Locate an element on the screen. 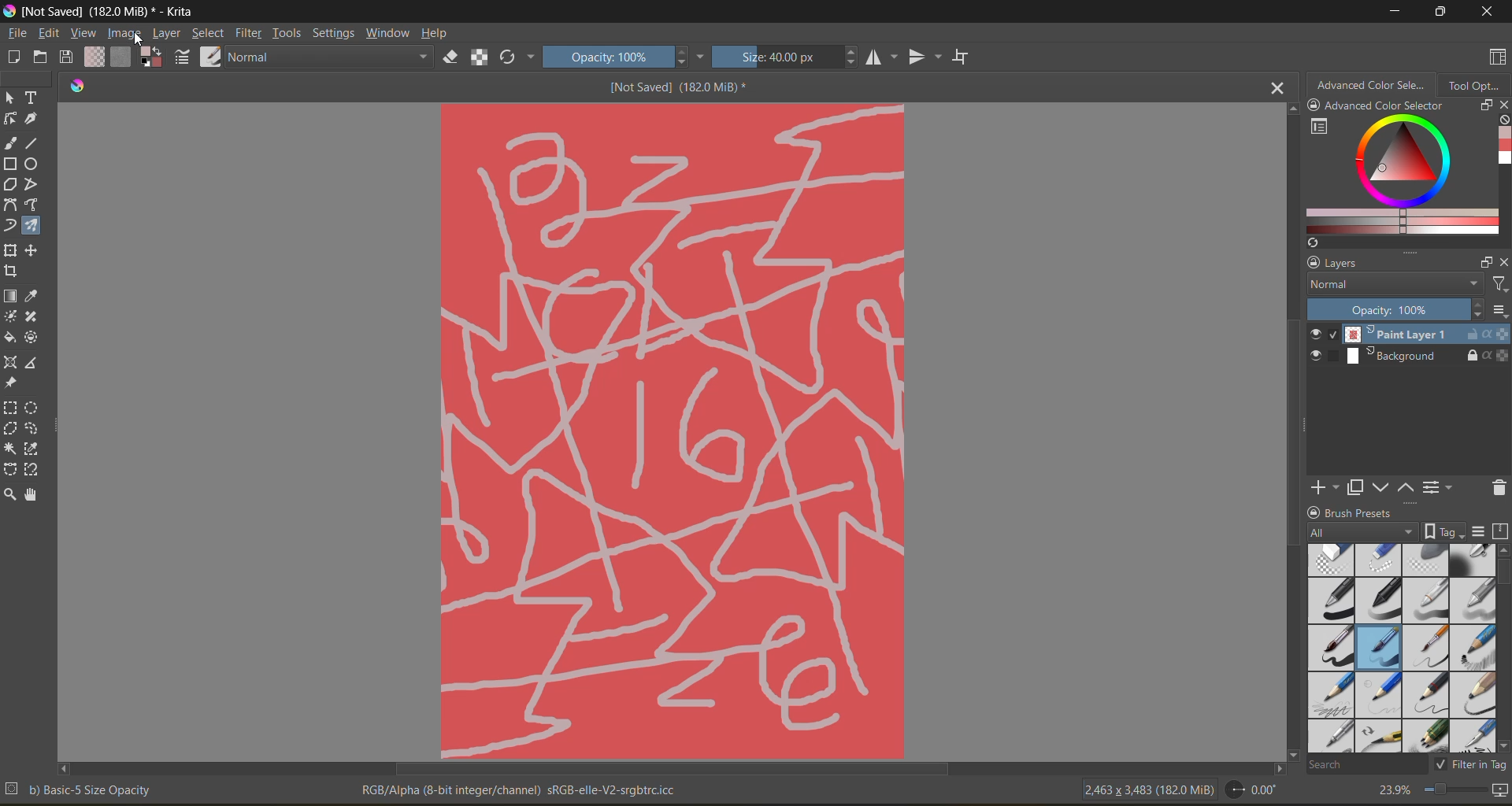 Image resolution: width=1512 pixels, height=806 pixels. app name and file name is located at coordinates (106, 12).